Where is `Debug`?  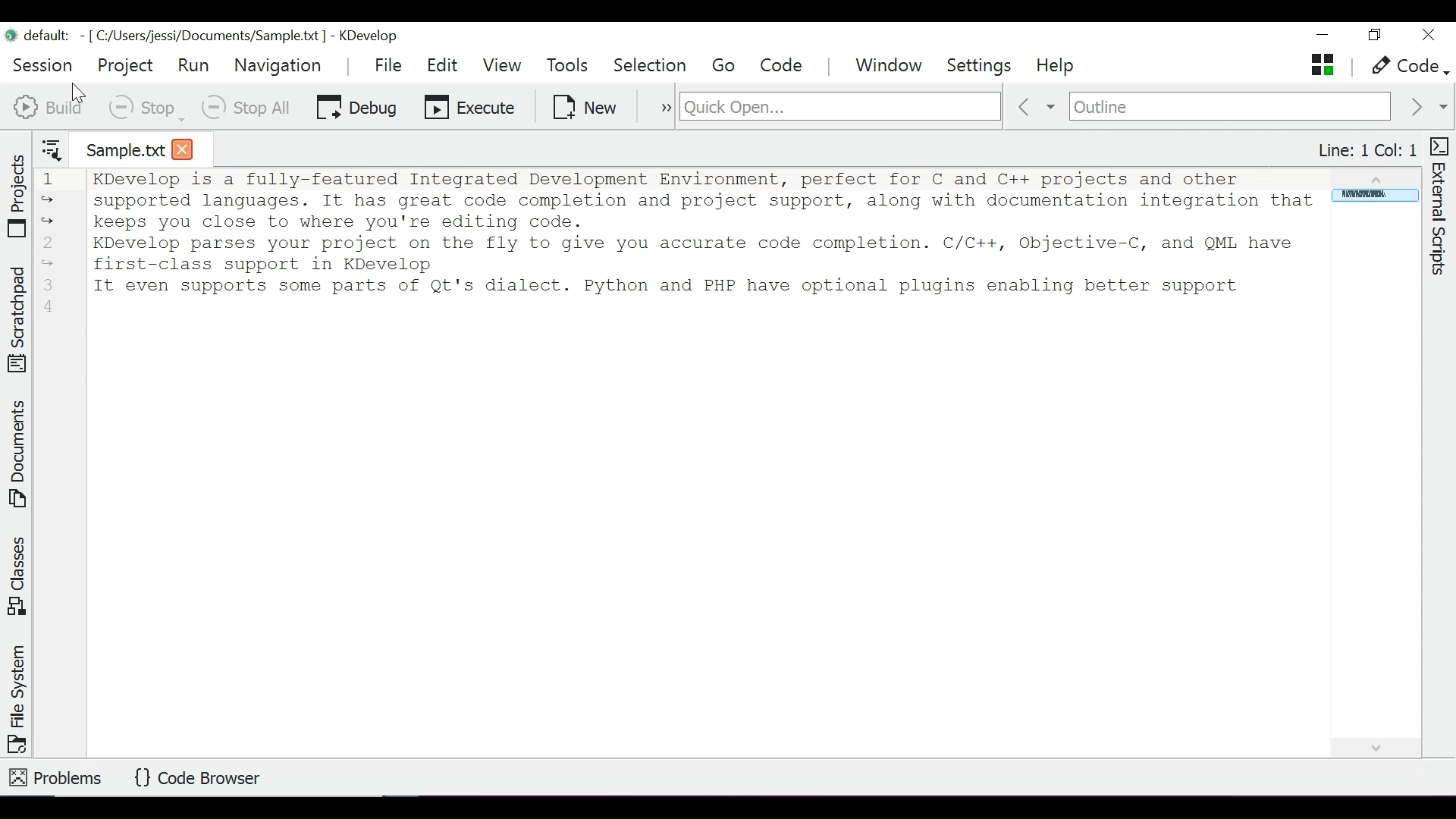 Debug is located at coordinates (357, 106).